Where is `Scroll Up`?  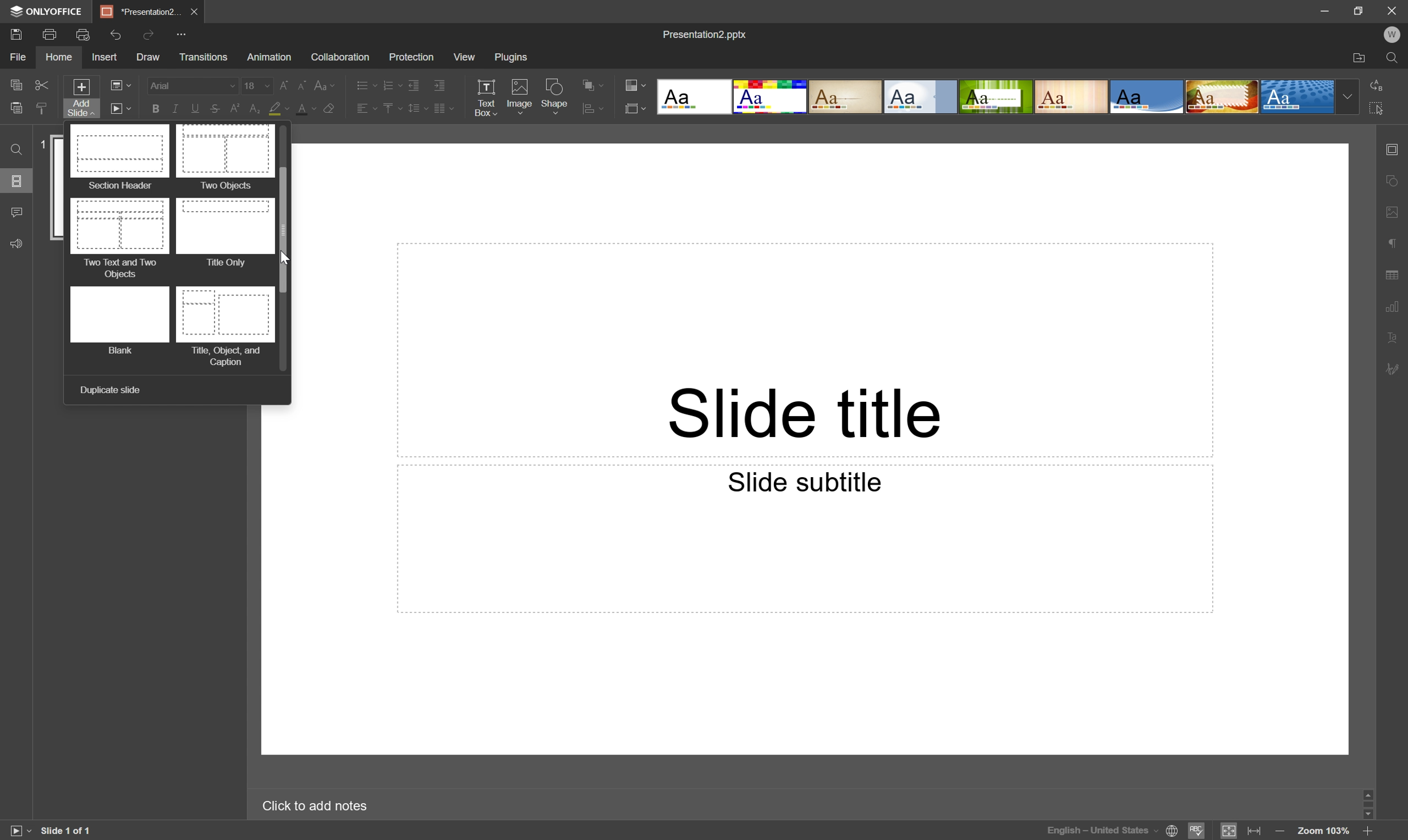
Scroll Up is located at coordinates (1374, 792).